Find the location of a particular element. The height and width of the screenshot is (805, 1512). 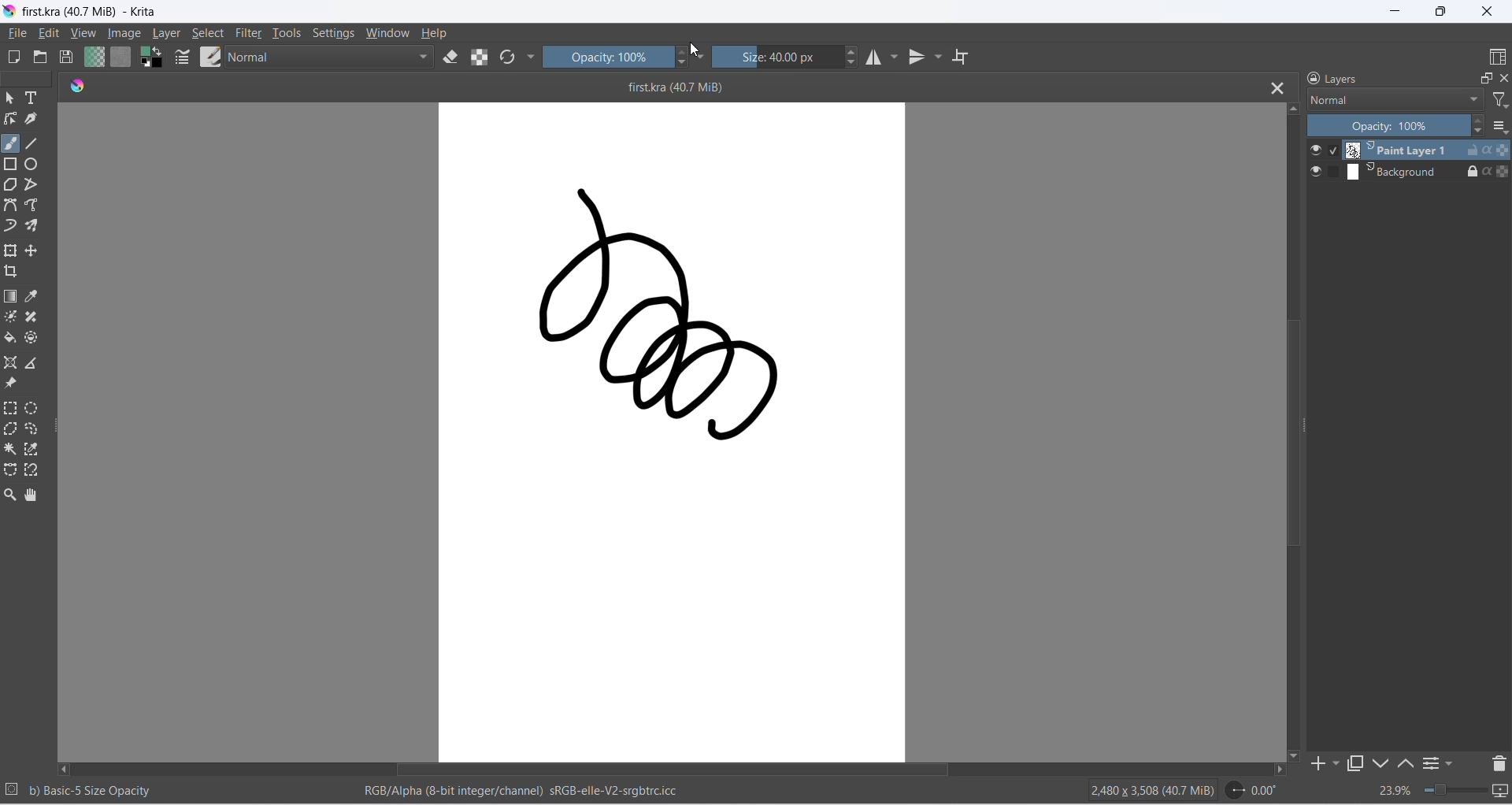

Inherit alpha is located at coordinates (1485, 150).